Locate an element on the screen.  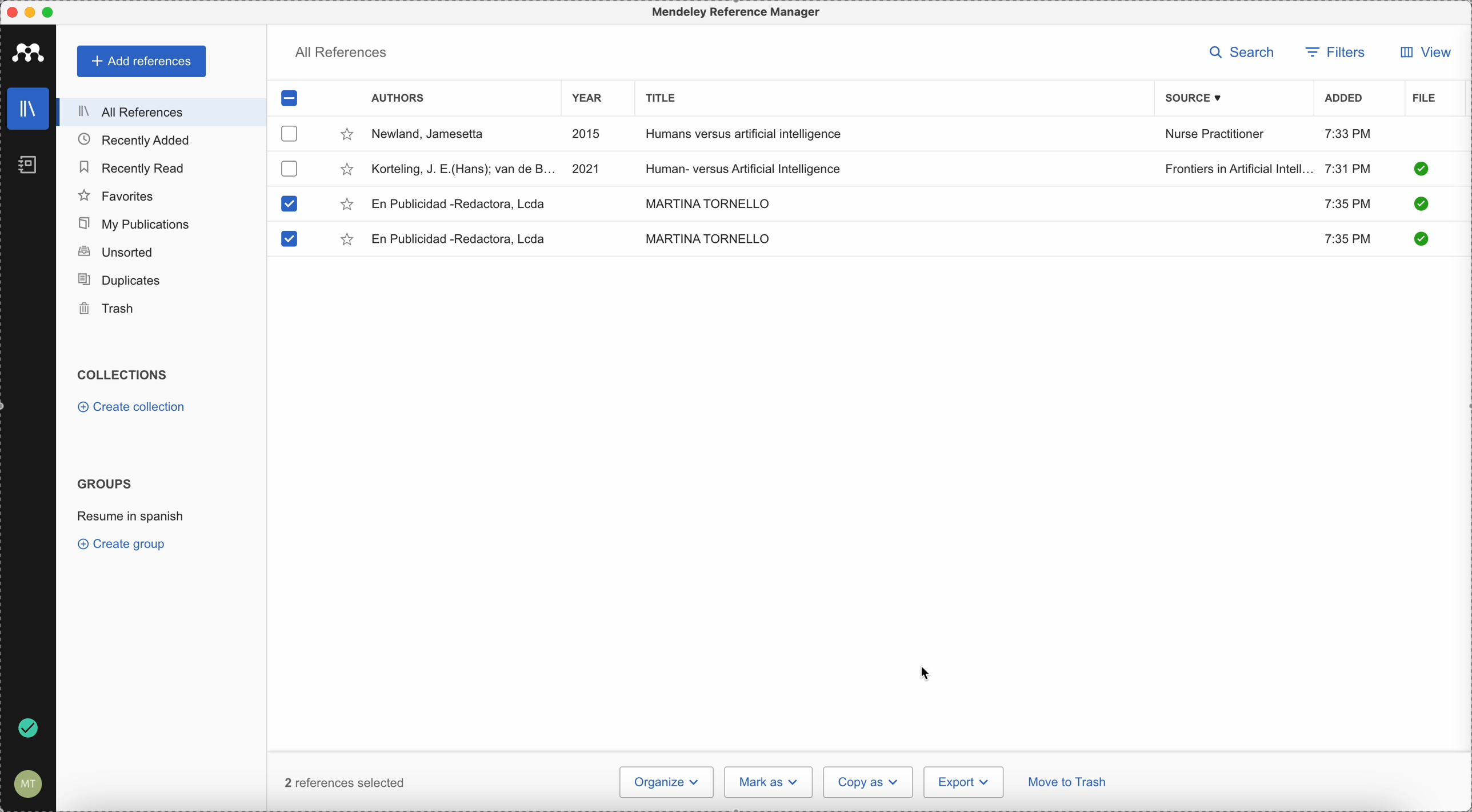
checkbox selected is located at coordinates (290, 98).